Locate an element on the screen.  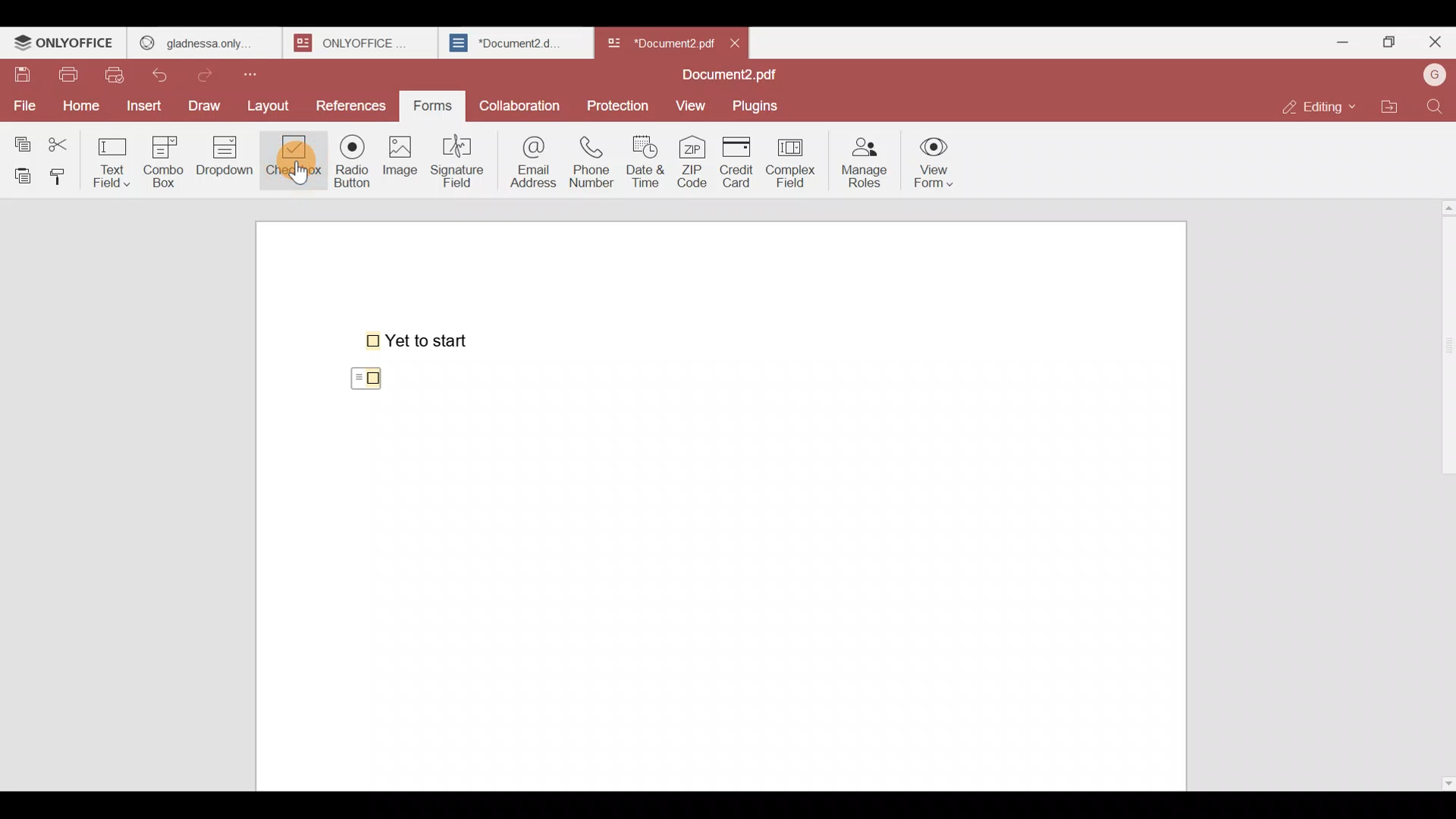
Credit card is located at coordinates (733, 163).